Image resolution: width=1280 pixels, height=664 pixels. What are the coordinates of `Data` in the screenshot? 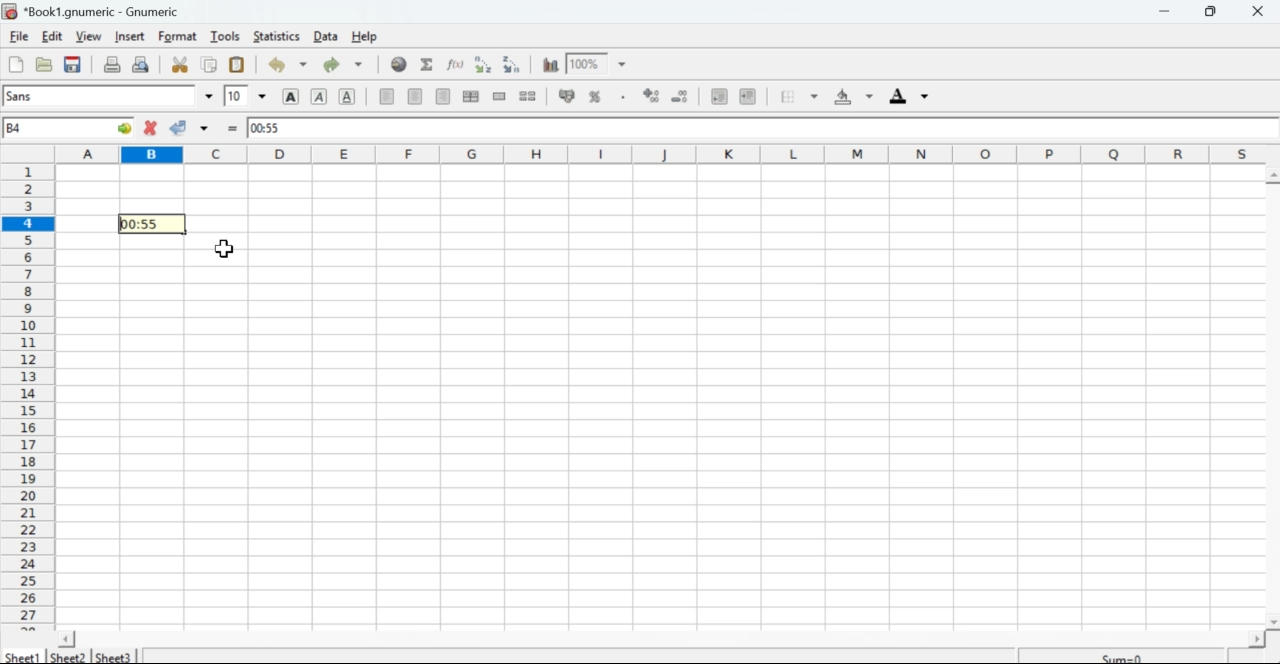 It's located at (327, 36).